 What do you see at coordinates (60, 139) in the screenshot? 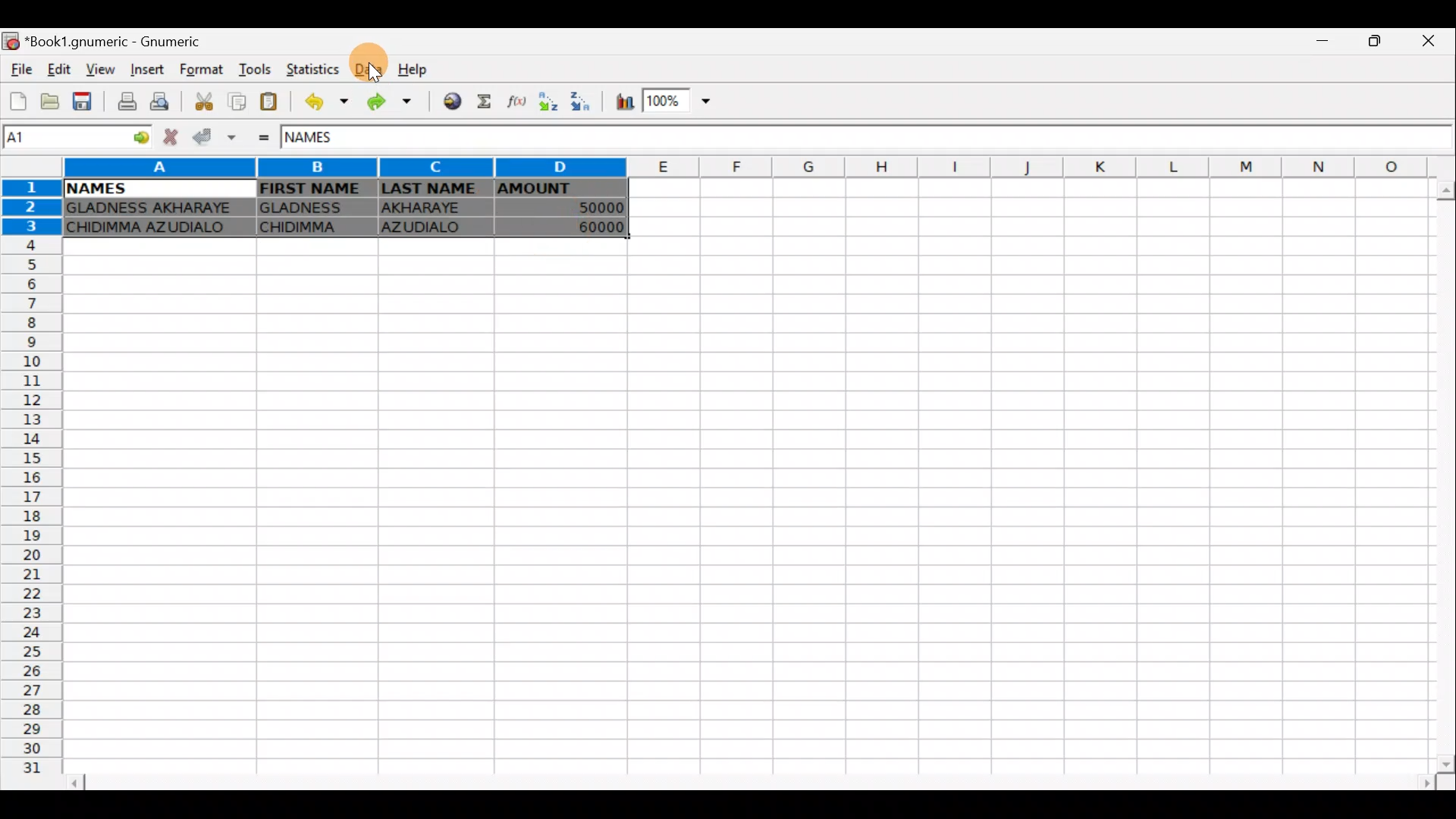
I see `Cell name A1` at bounding box center [60, 139].